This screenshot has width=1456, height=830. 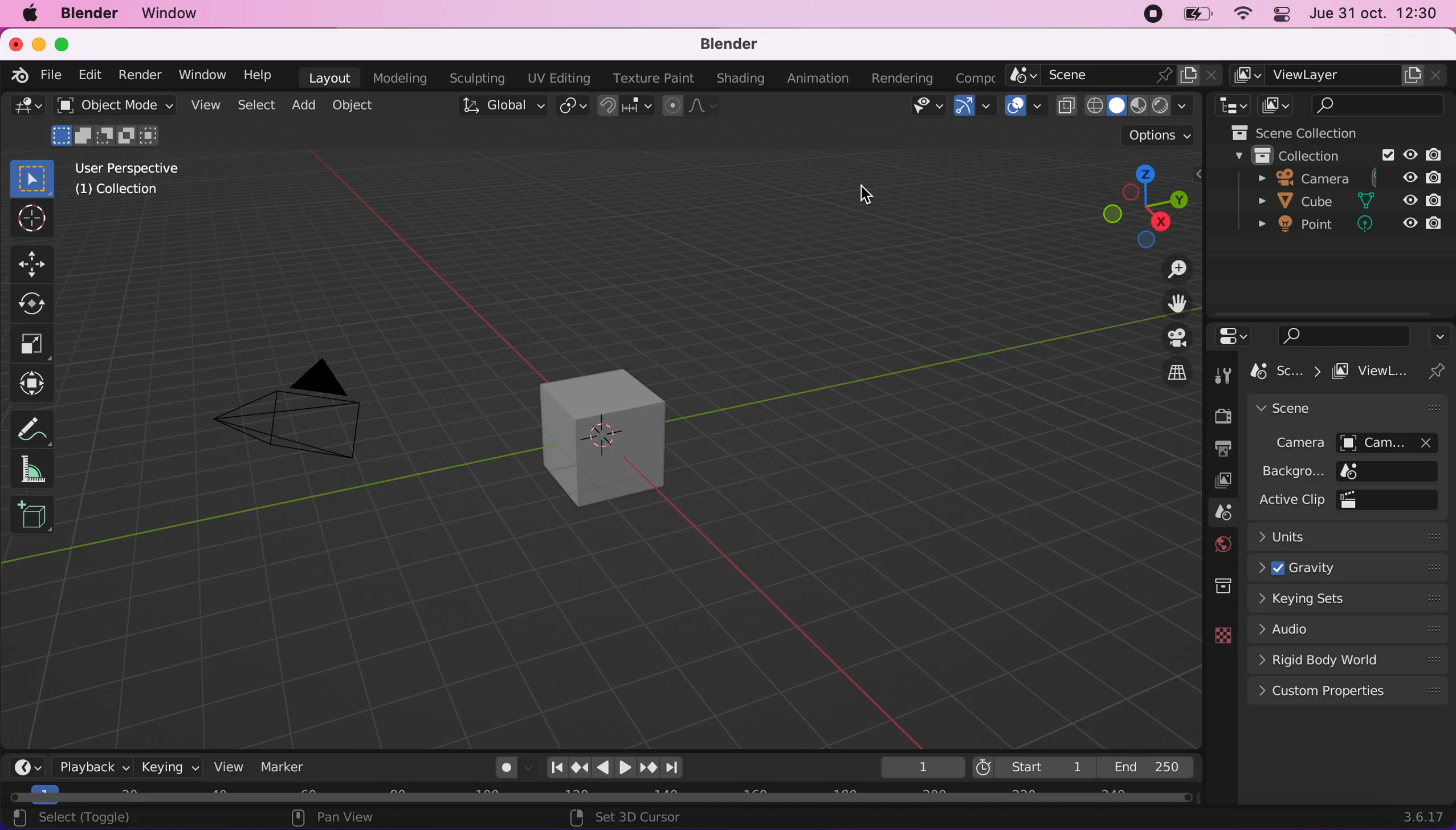 I want to click on toggle the current view, so click(x=1166, y=372).